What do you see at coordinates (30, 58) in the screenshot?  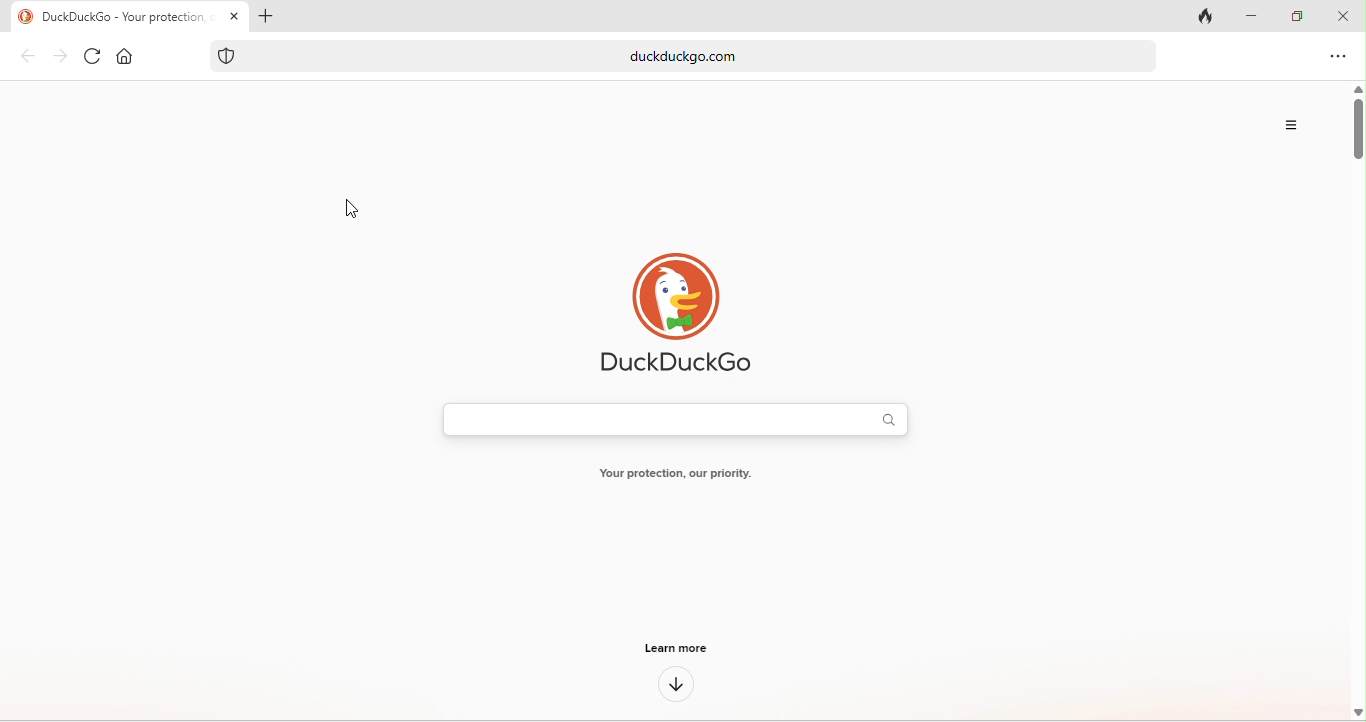 I see `back` at bounding box center [30, 58].